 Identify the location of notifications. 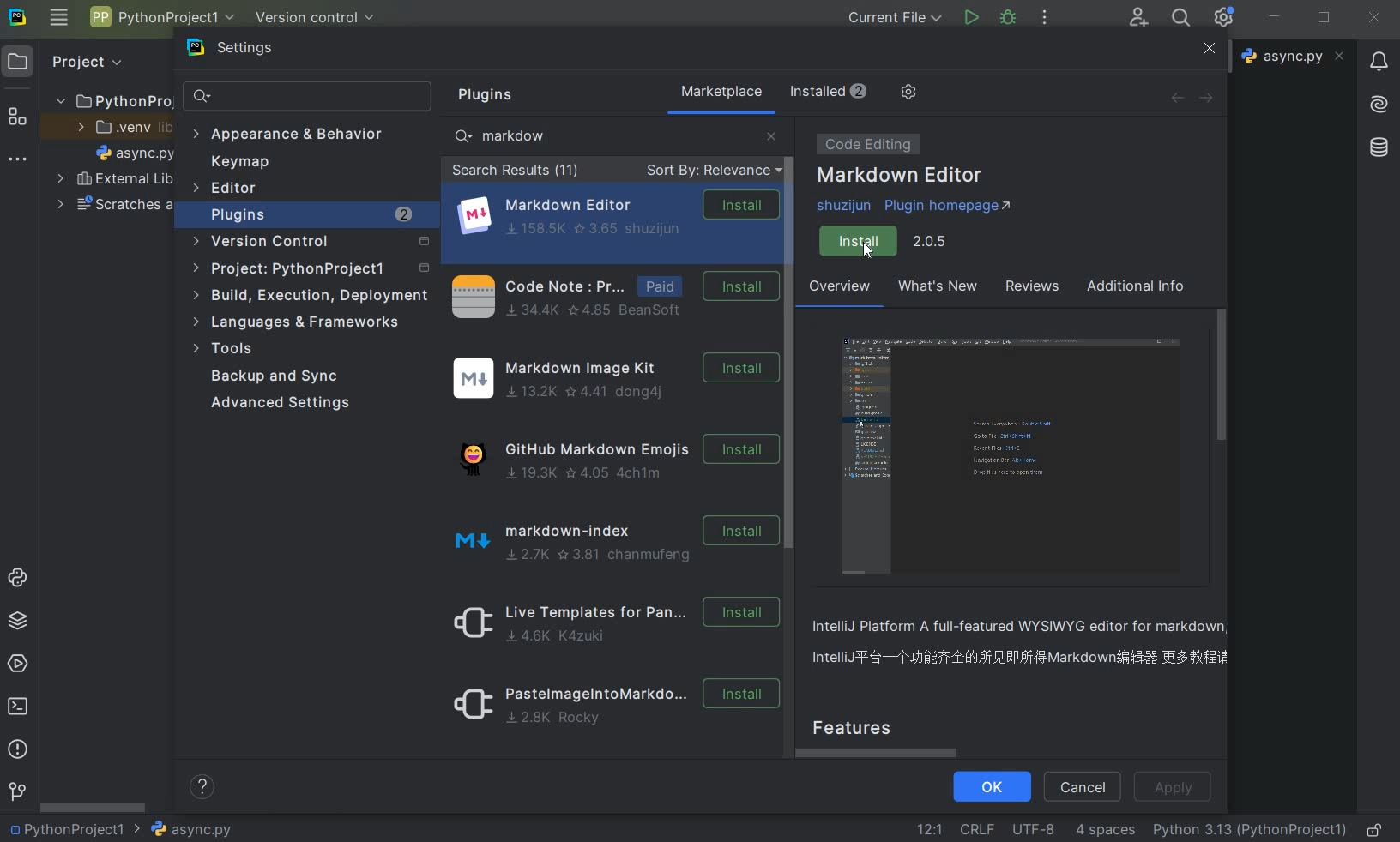
(1380, 63).